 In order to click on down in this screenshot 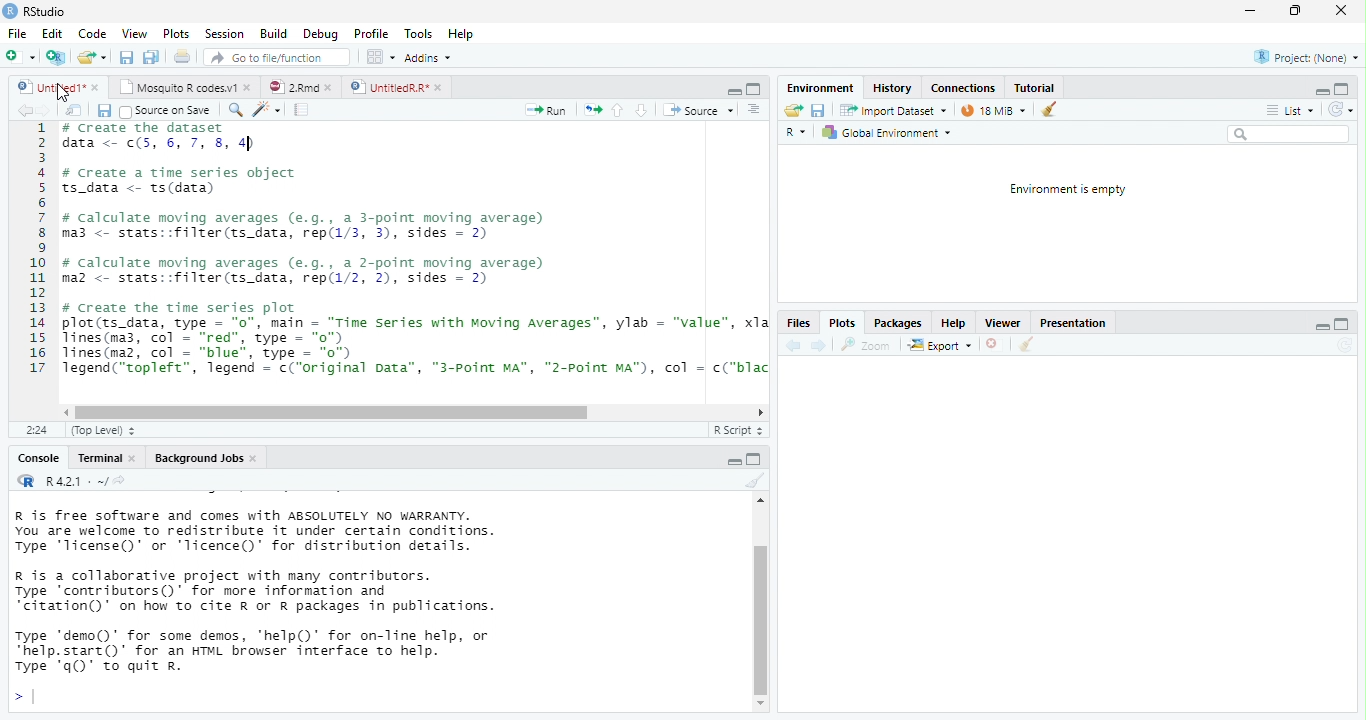, I will do `click(641, 110)`.